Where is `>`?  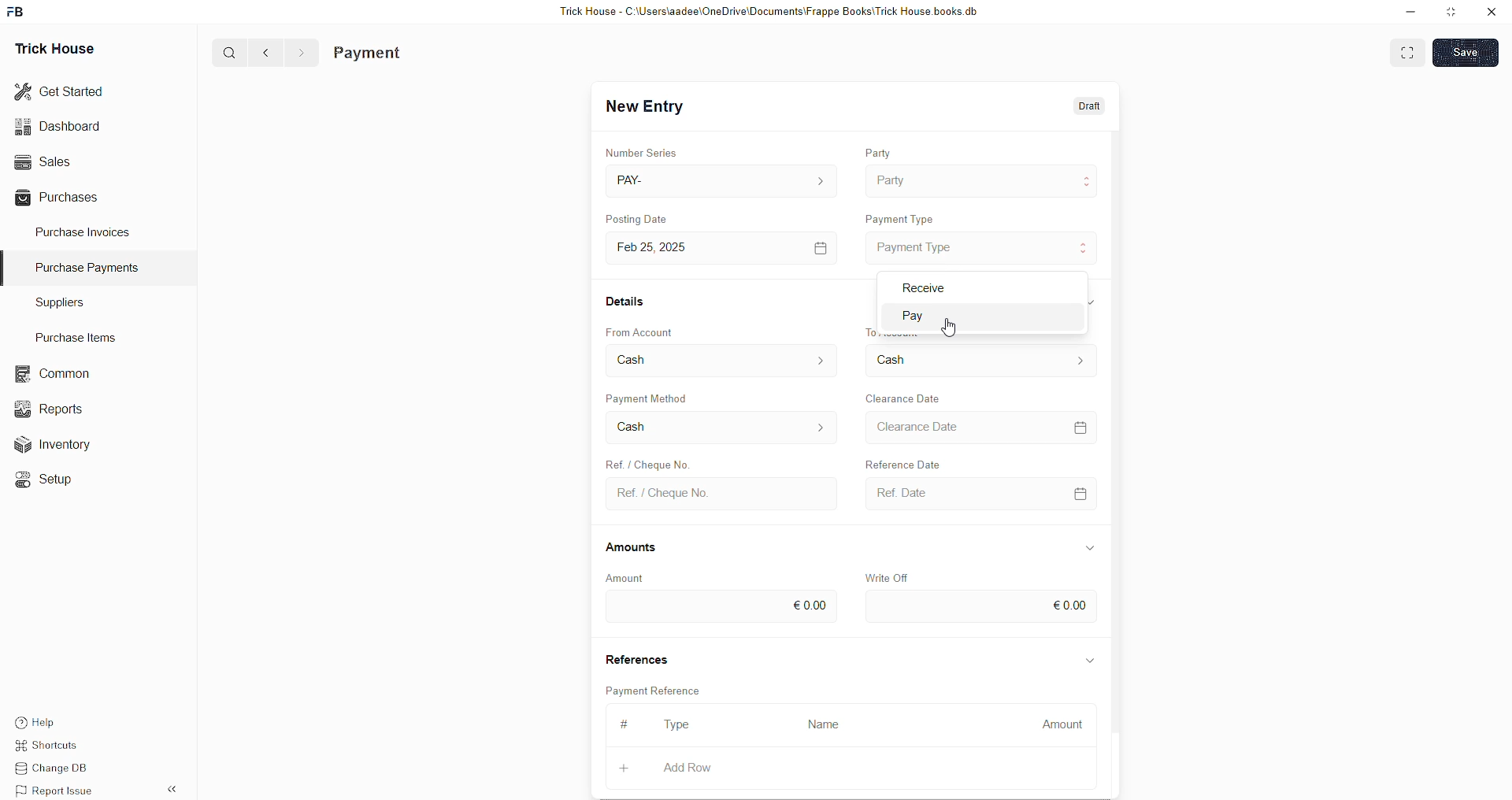
> is located at coordinates (301, 53).